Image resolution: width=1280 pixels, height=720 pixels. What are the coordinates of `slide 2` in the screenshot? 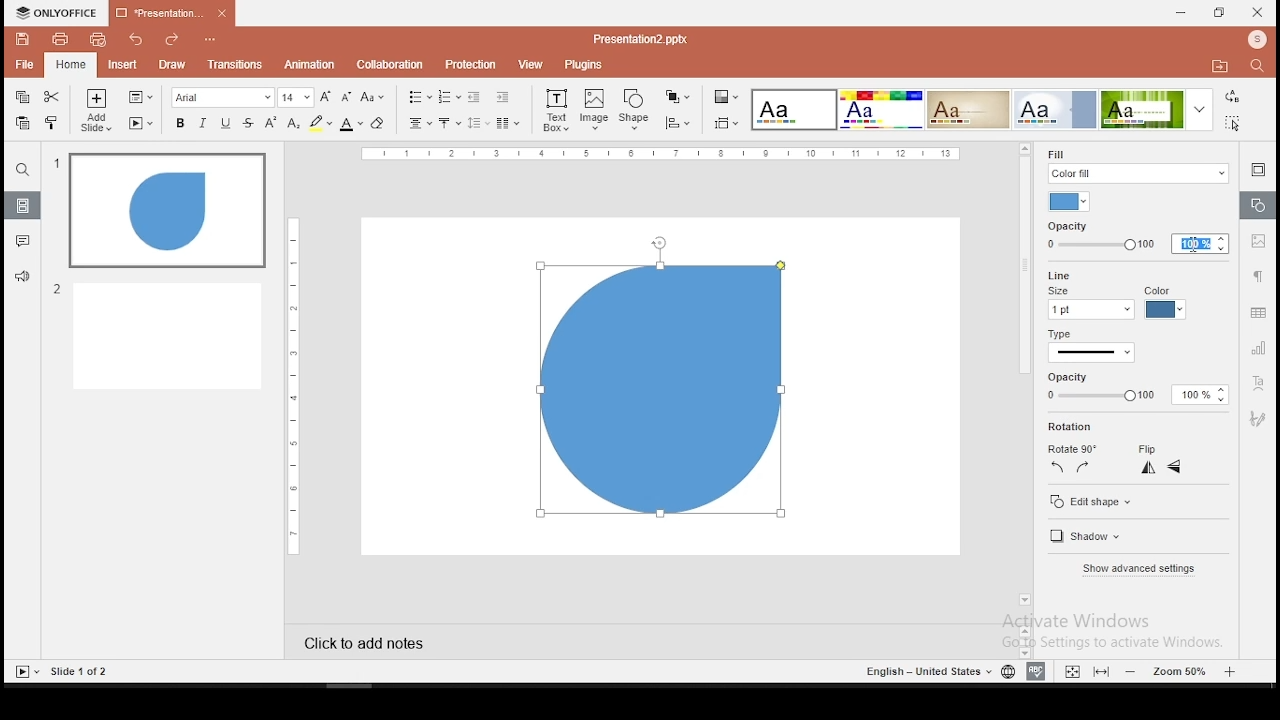 It's located at (157, 335).